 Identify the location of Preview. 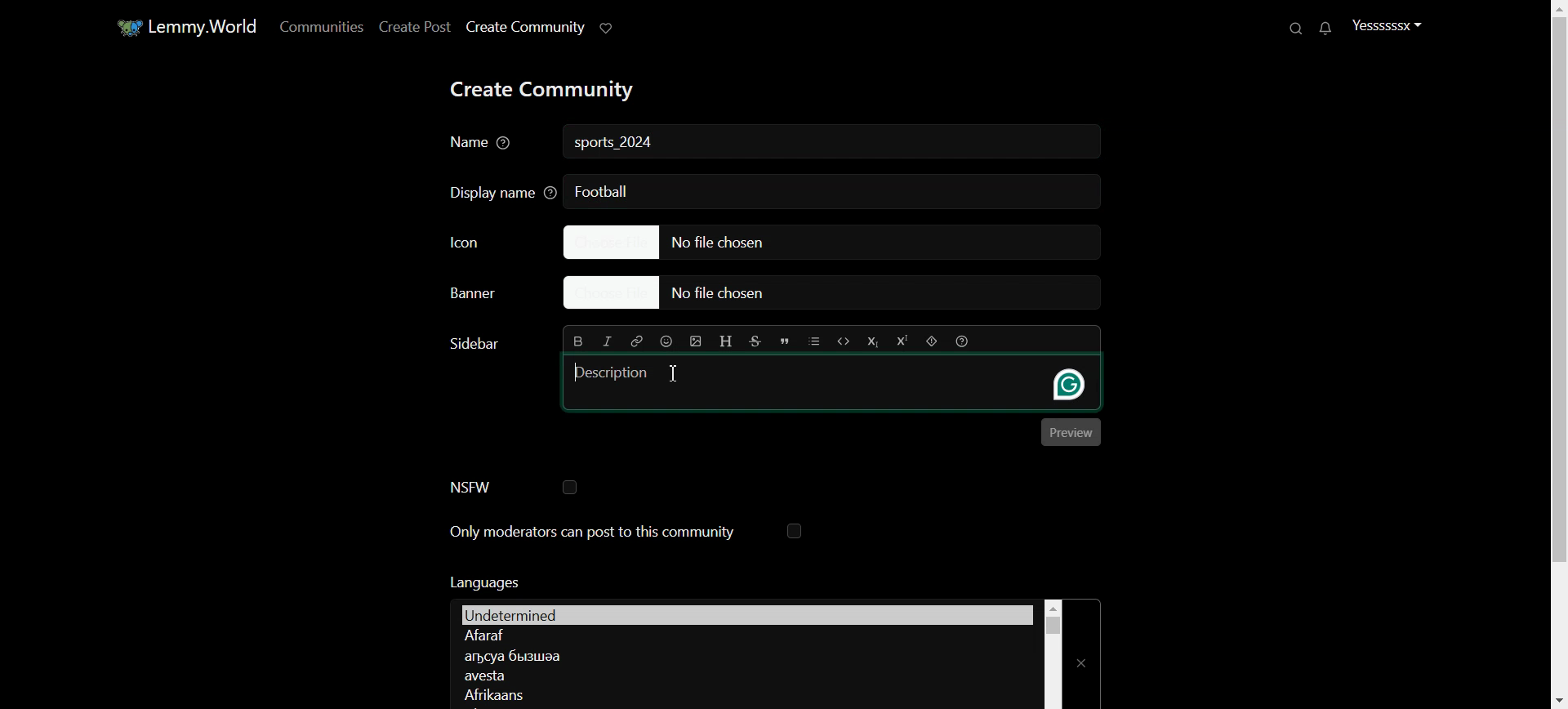
(1071, 432).